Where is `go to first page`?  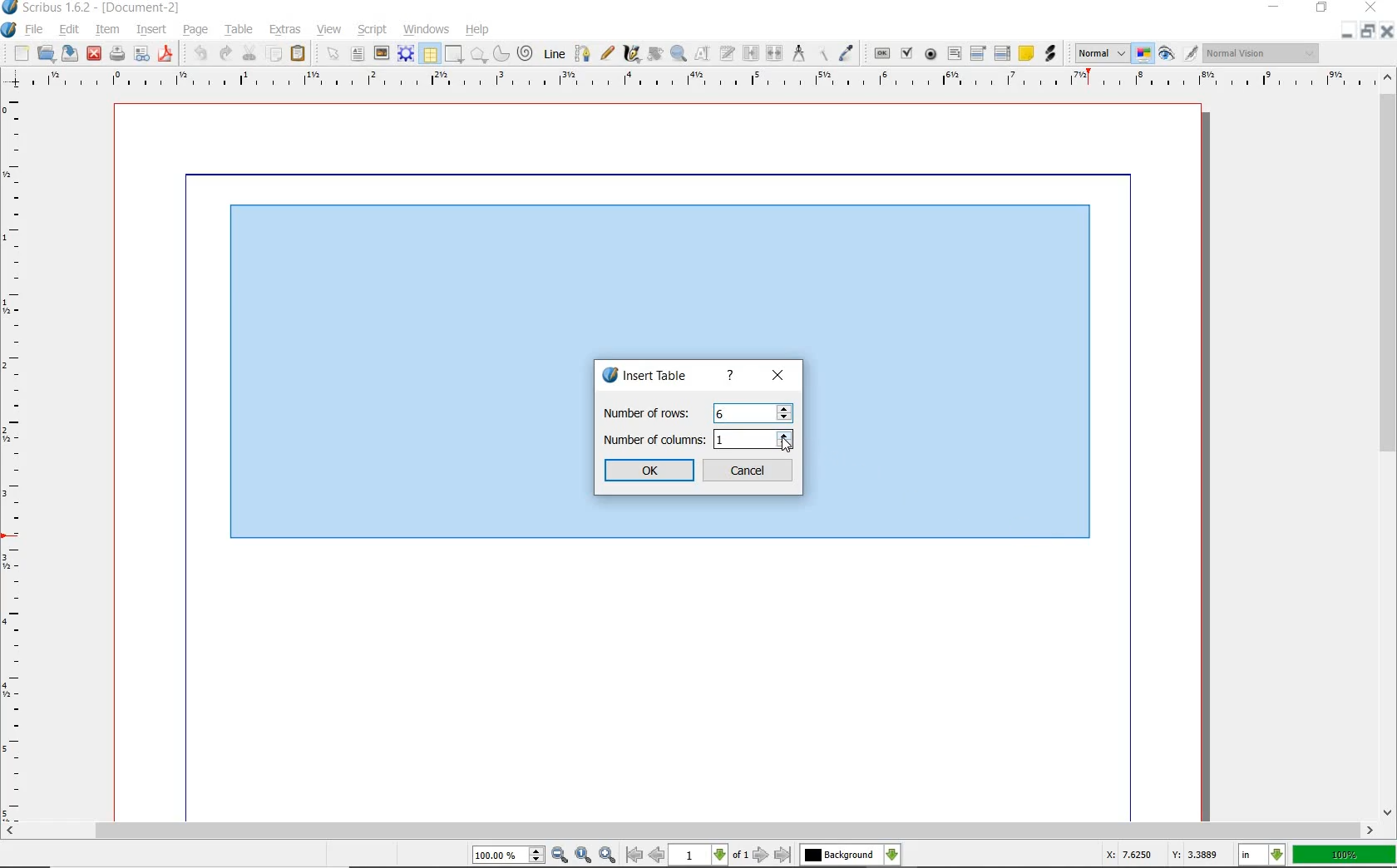
go to first page is located at coordinates (634, 856).